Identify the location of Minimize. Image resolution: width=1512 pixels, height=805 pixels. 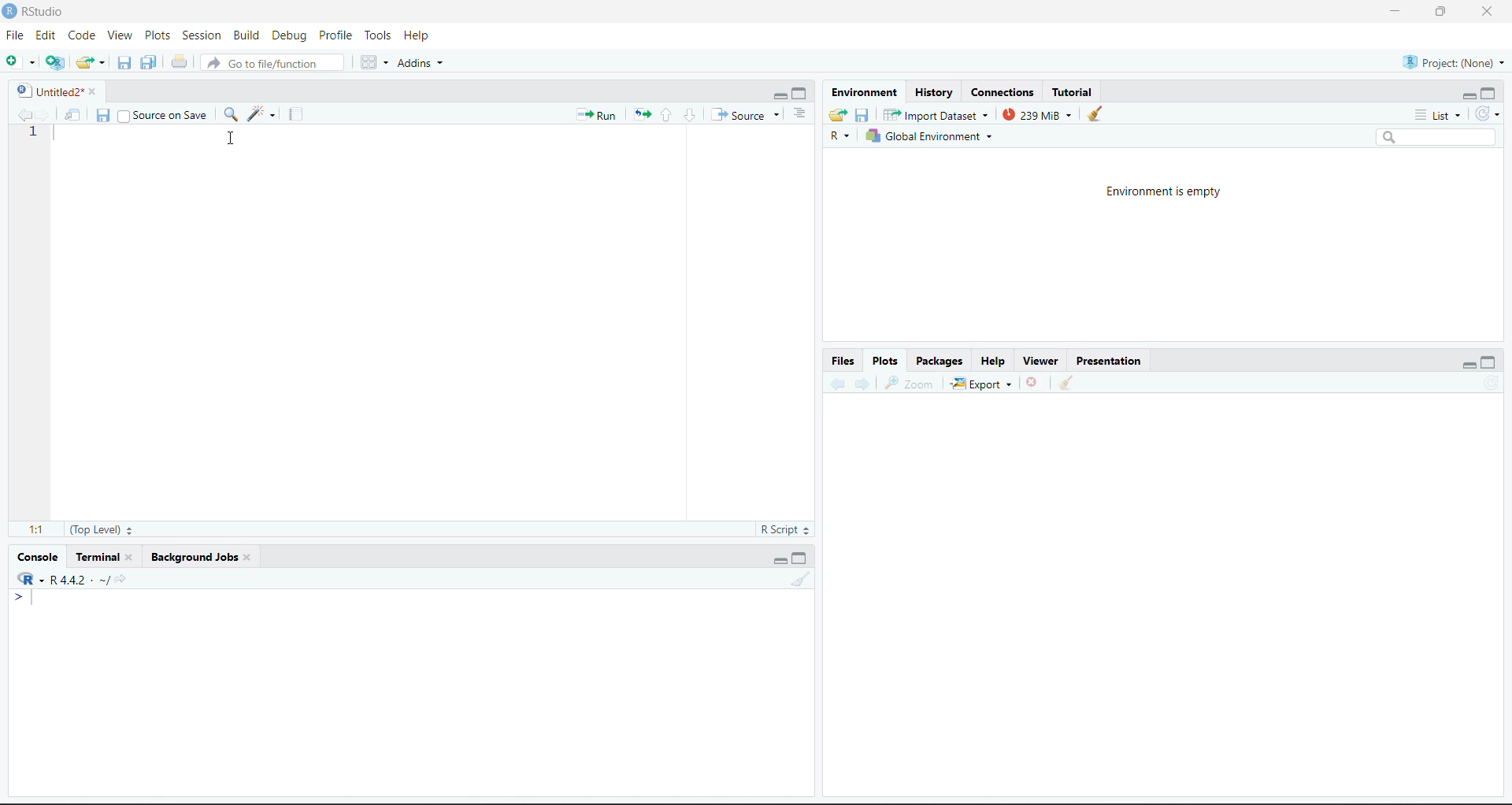
(1468, 365).